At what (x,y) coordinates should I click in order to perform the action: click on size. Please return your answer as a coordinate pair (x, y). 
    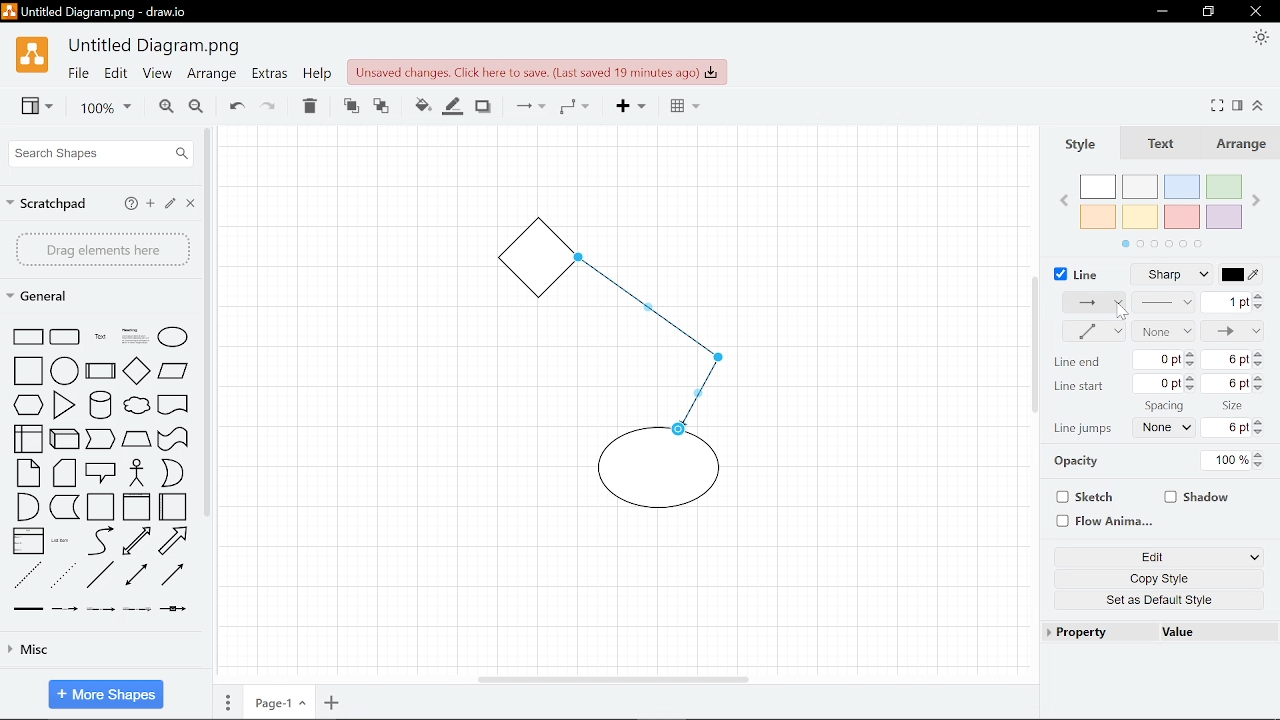
    Looking at the image, I should click on (1235, 404).